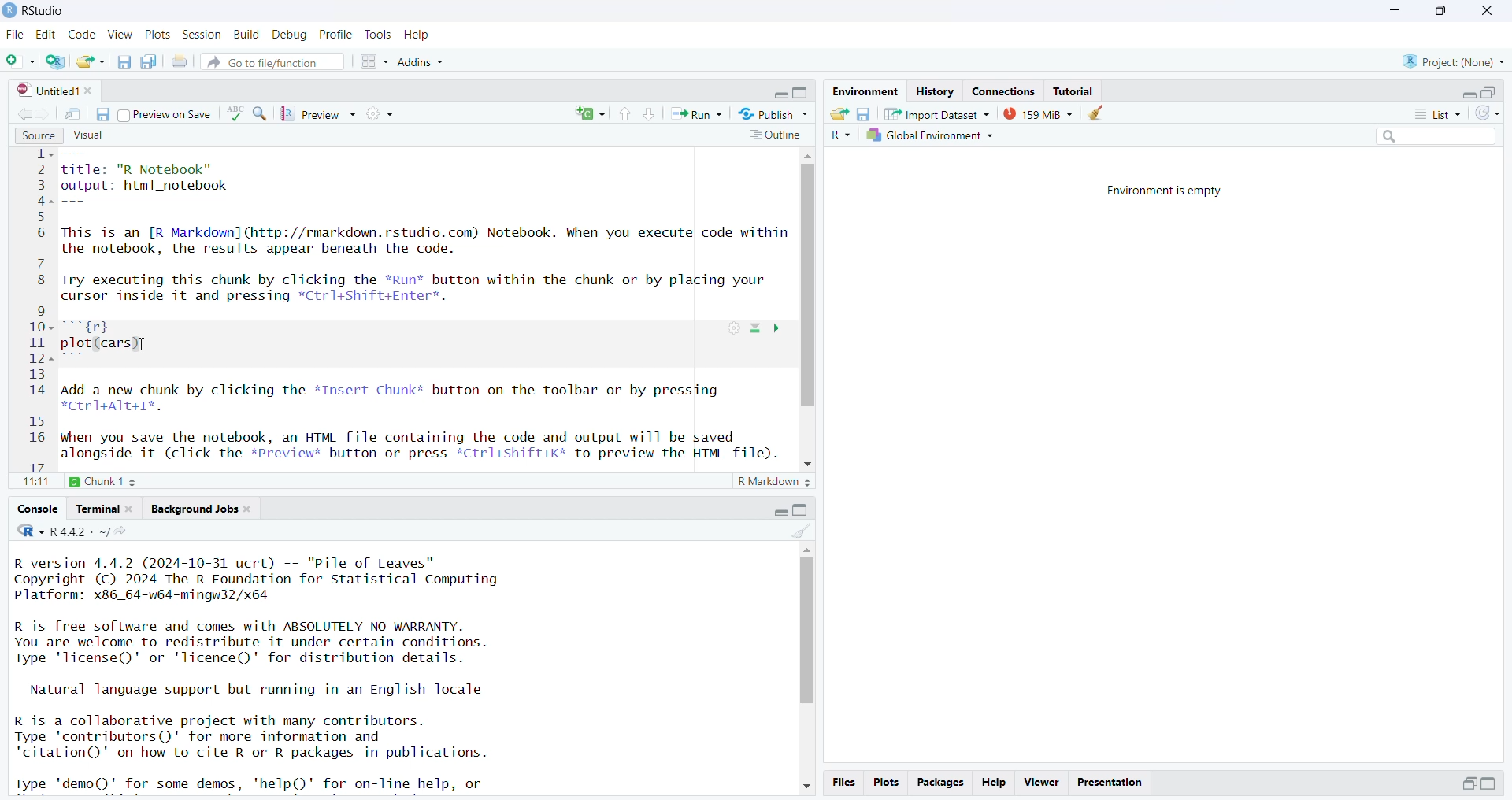 The height and width of the screenshot is (800, 1512). Describe the element at coordinates (382, 113) in the screenshot. I see `compile report` at that location.